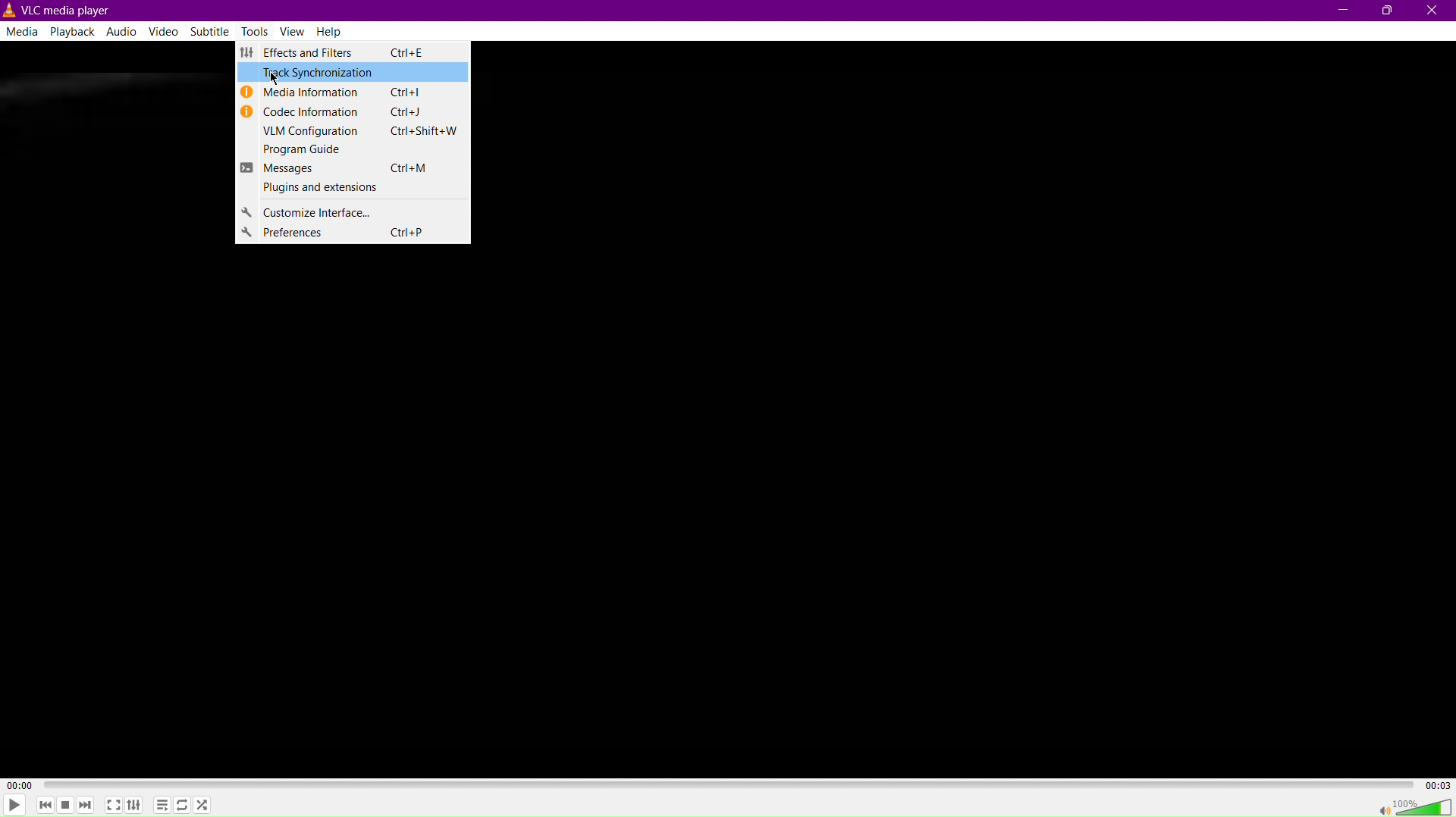 This screenshot has width=1456, height=817. I want to click on Close, so click(1433, 11).